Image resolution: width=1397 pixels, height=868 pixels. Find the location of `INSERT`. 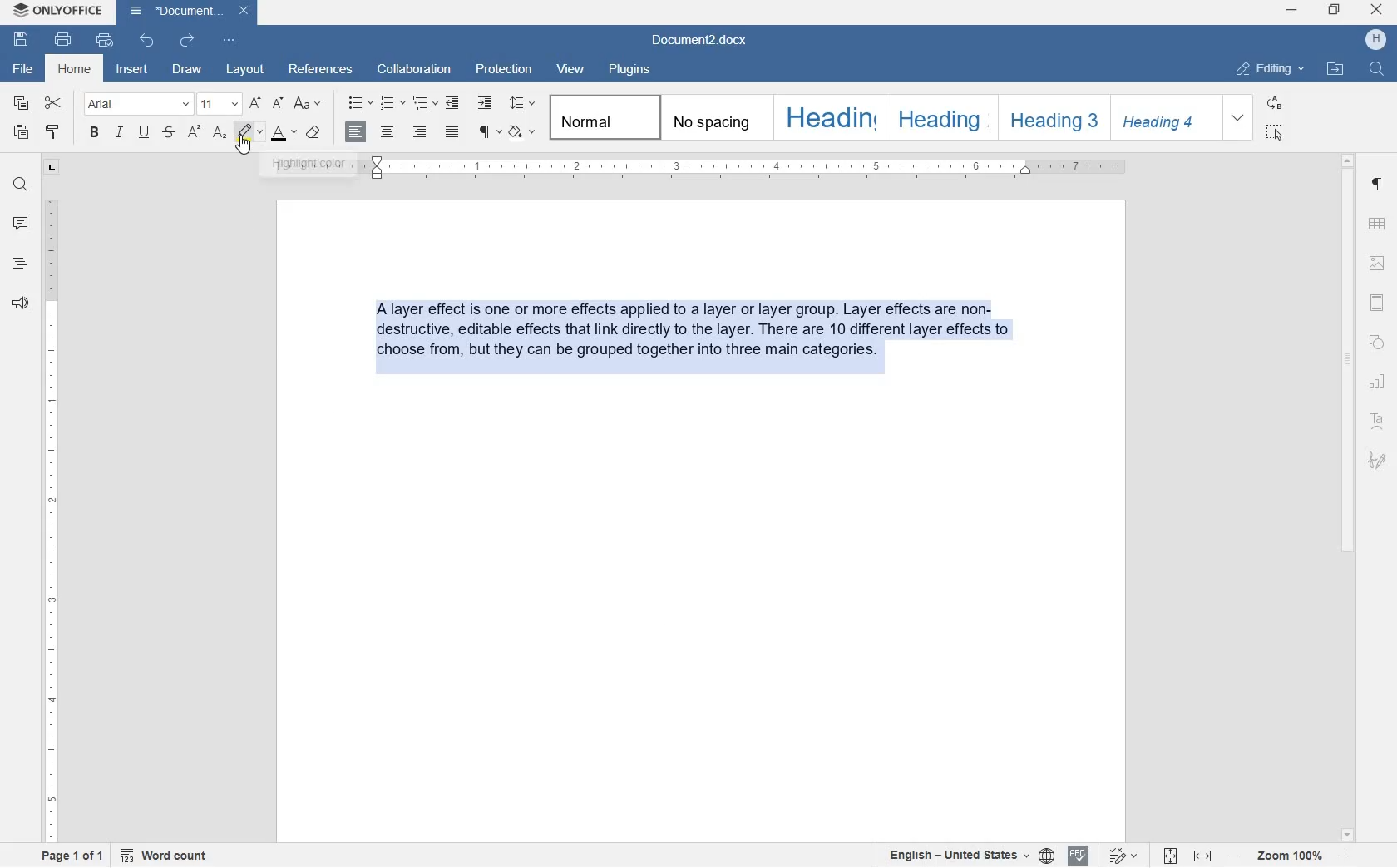

INSERT is located at coordinates (131, 69).